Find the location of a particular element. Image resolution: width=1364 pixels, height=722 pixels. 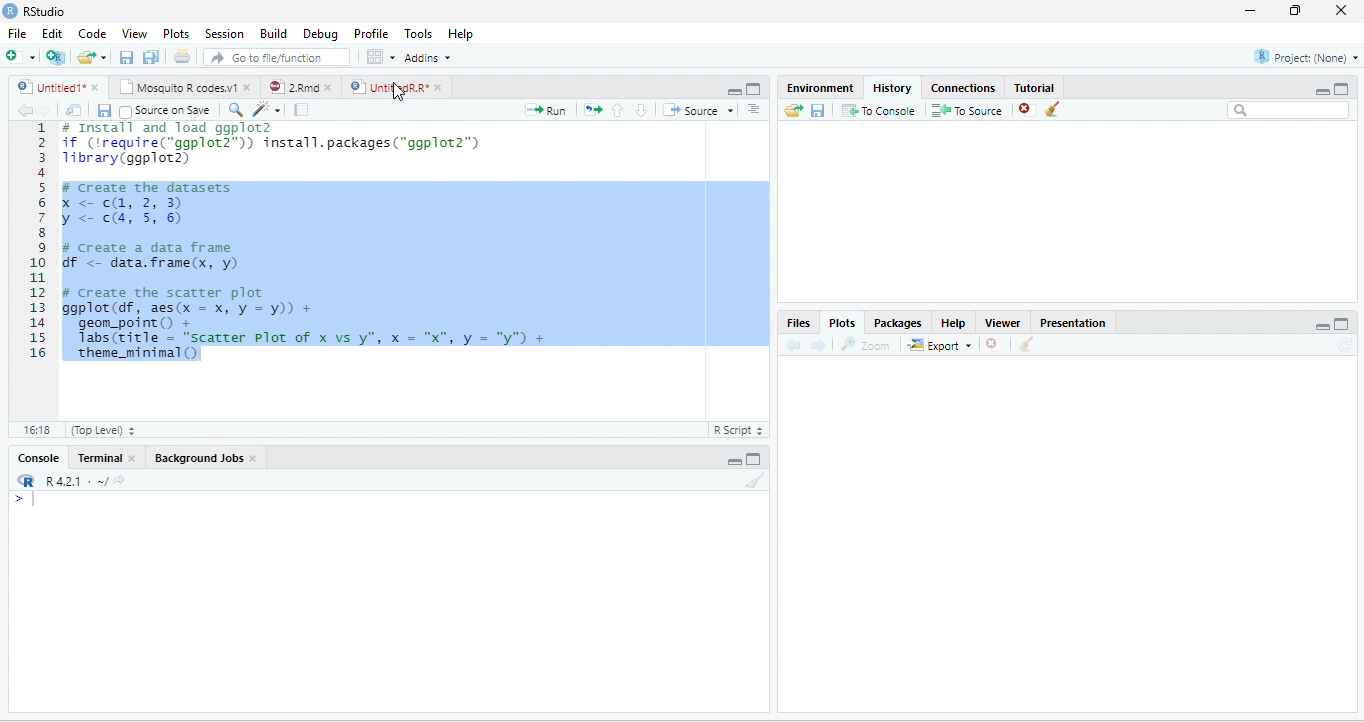

Maximize is located at coordinates (754, 458).